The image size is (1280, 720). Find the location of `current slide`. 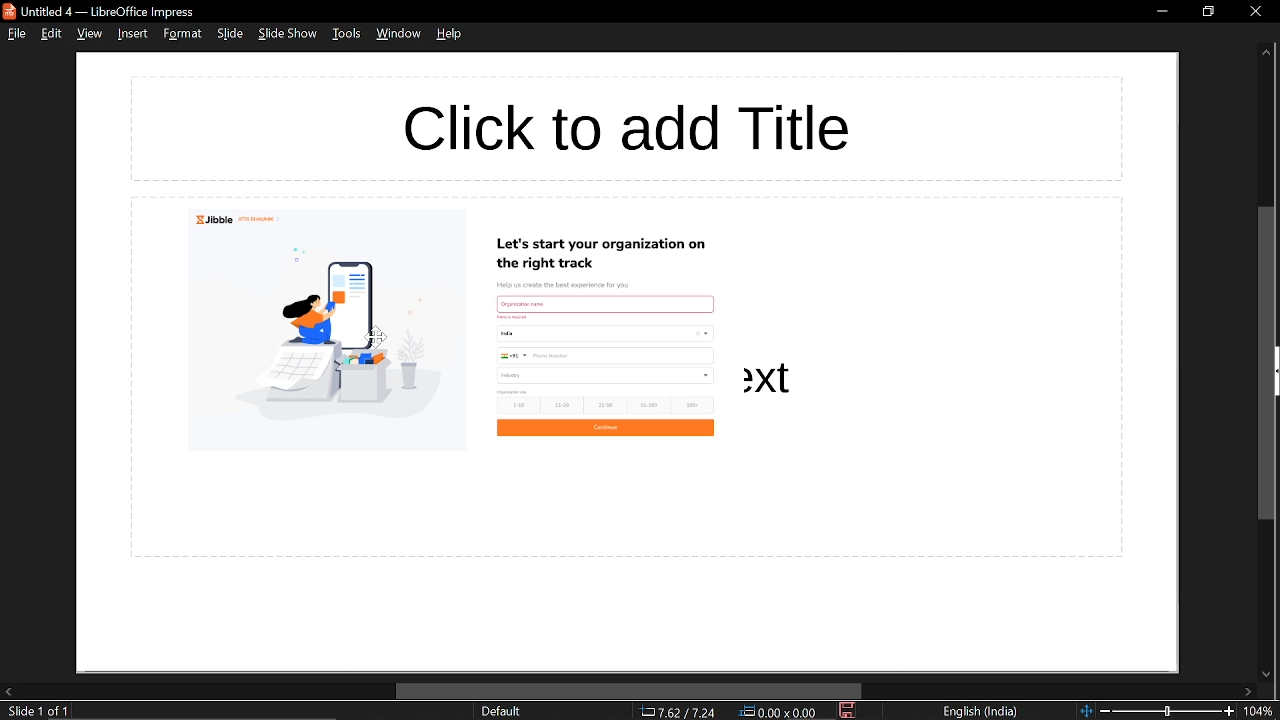

current slide is located at coordinates (34, 712).